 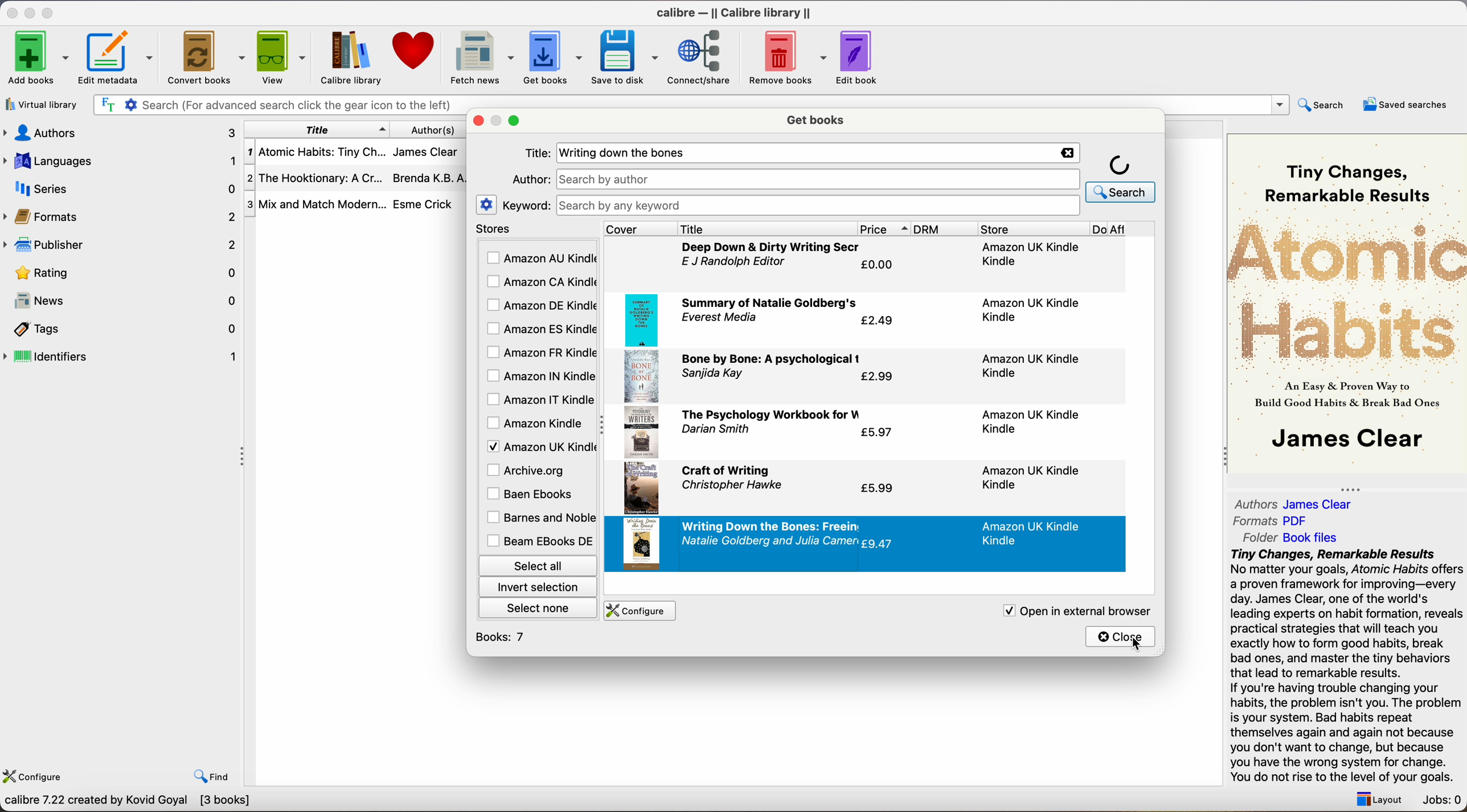 I want to click on book icon, so click(x=641, y=544).